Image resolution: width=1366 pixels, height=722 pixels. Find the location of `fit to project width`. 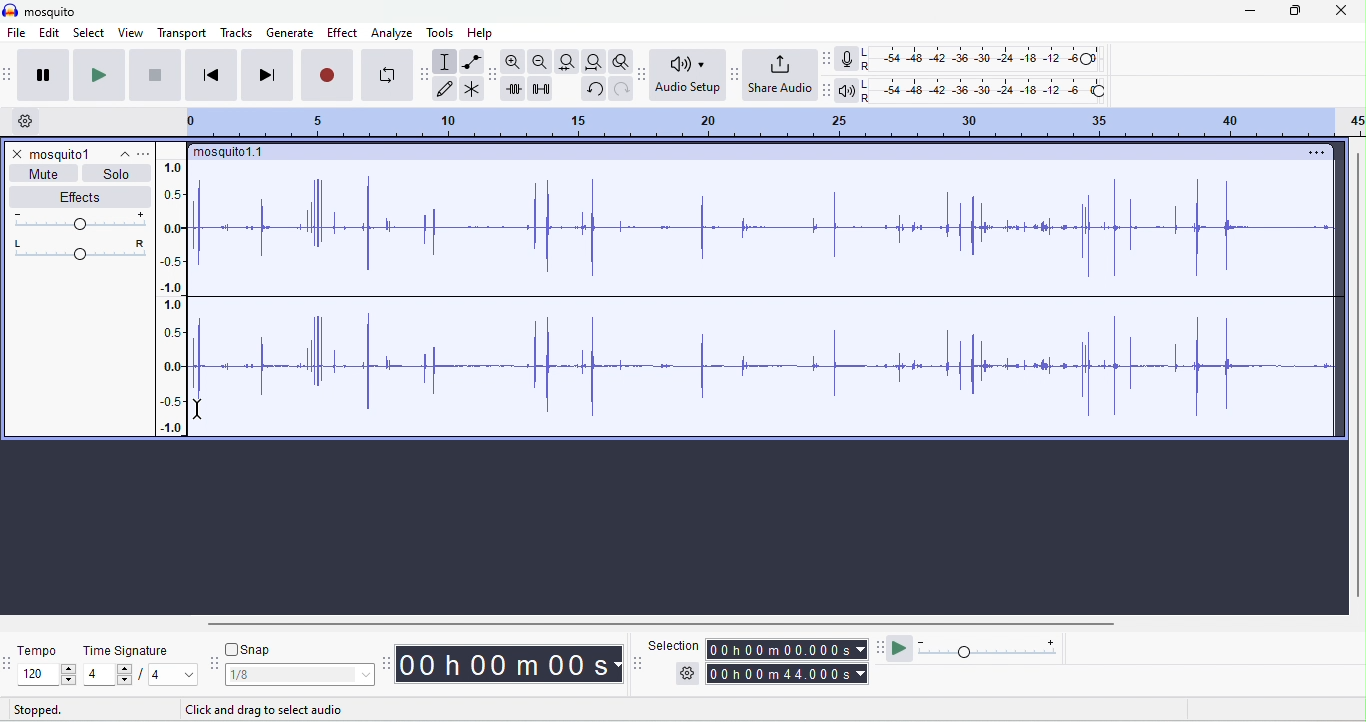

fit to project width is located at coordinates (593, 62).